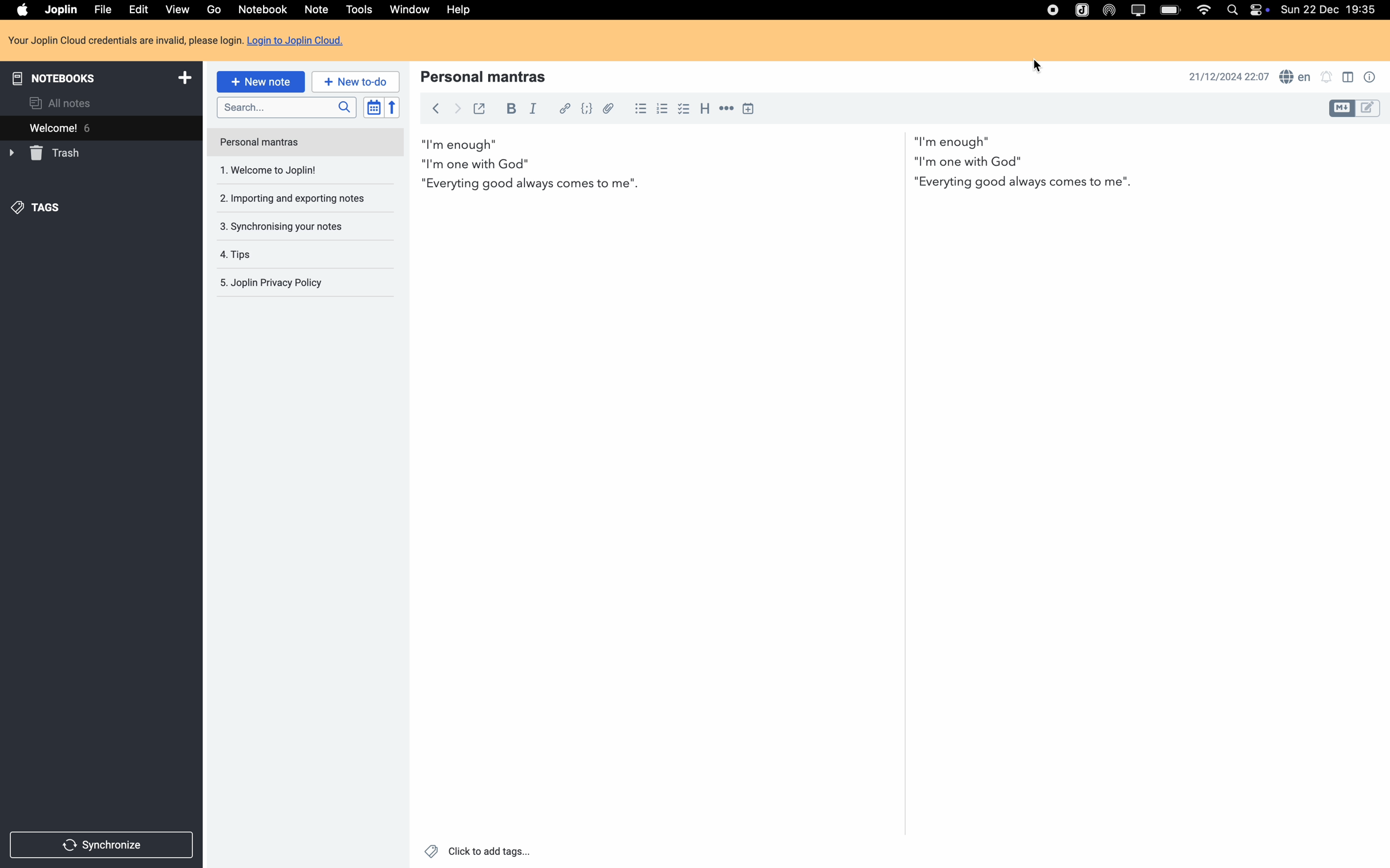 This screenshot has height=868, width=1390. Describe the element at coordinates (706, 108) in the screenshot. I see `heading` at that location.